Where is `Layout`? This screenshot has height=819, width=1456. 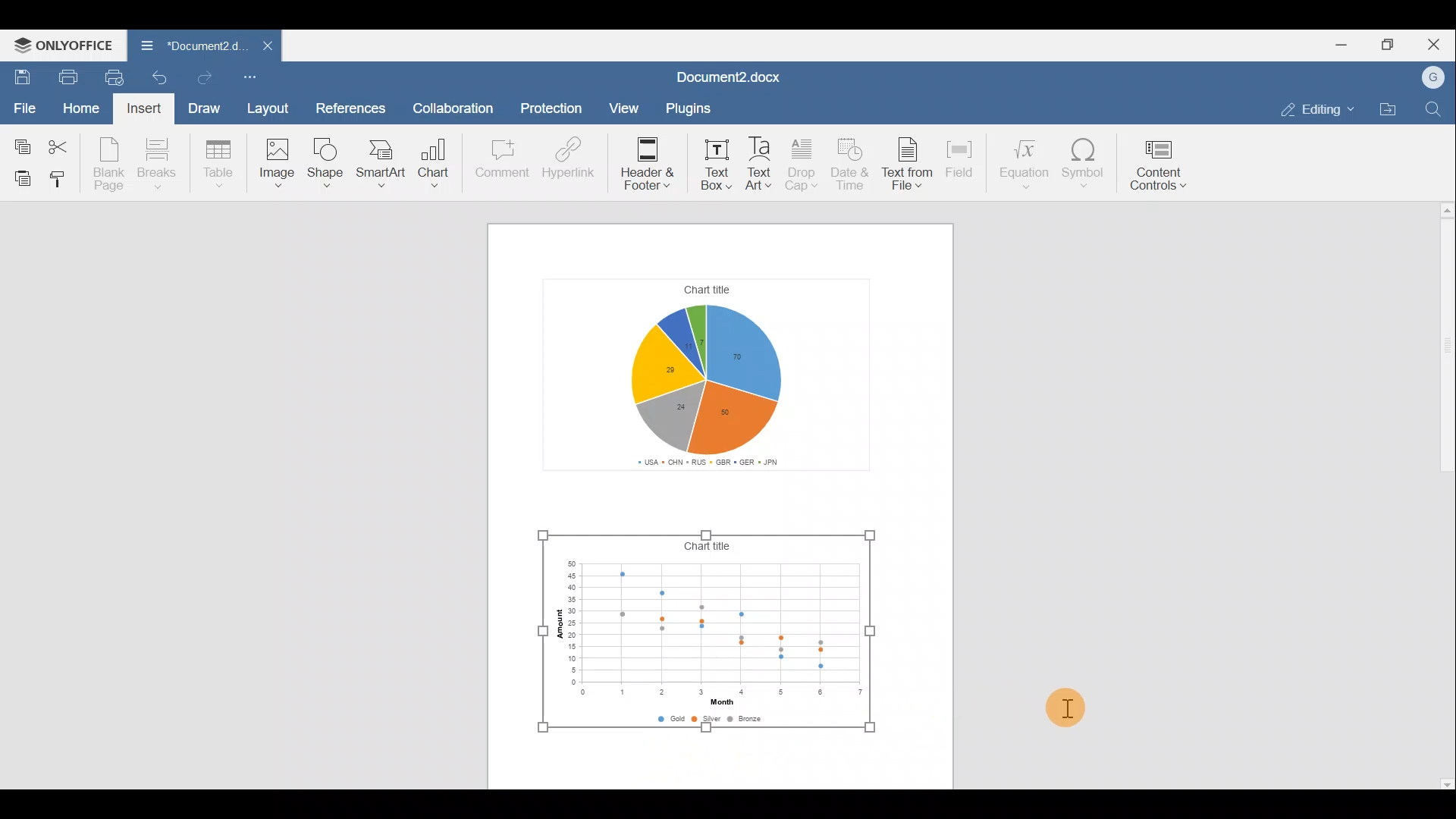
Layout is located at coordinates (270, 111).